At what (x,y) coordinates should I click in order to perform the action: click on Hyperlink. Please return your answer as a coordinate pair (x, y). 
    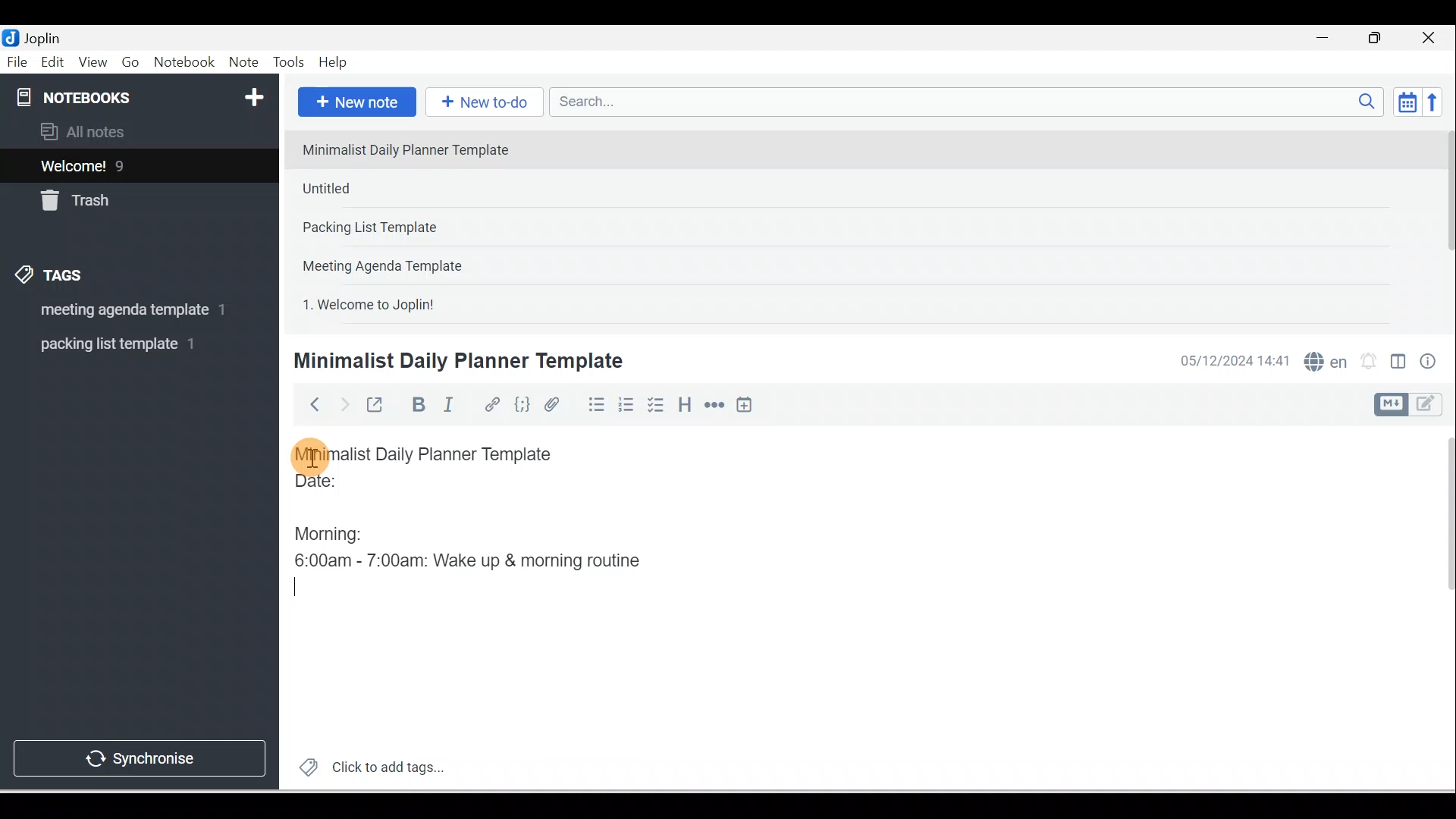
    Looking at the image, I should click on (491, 406).